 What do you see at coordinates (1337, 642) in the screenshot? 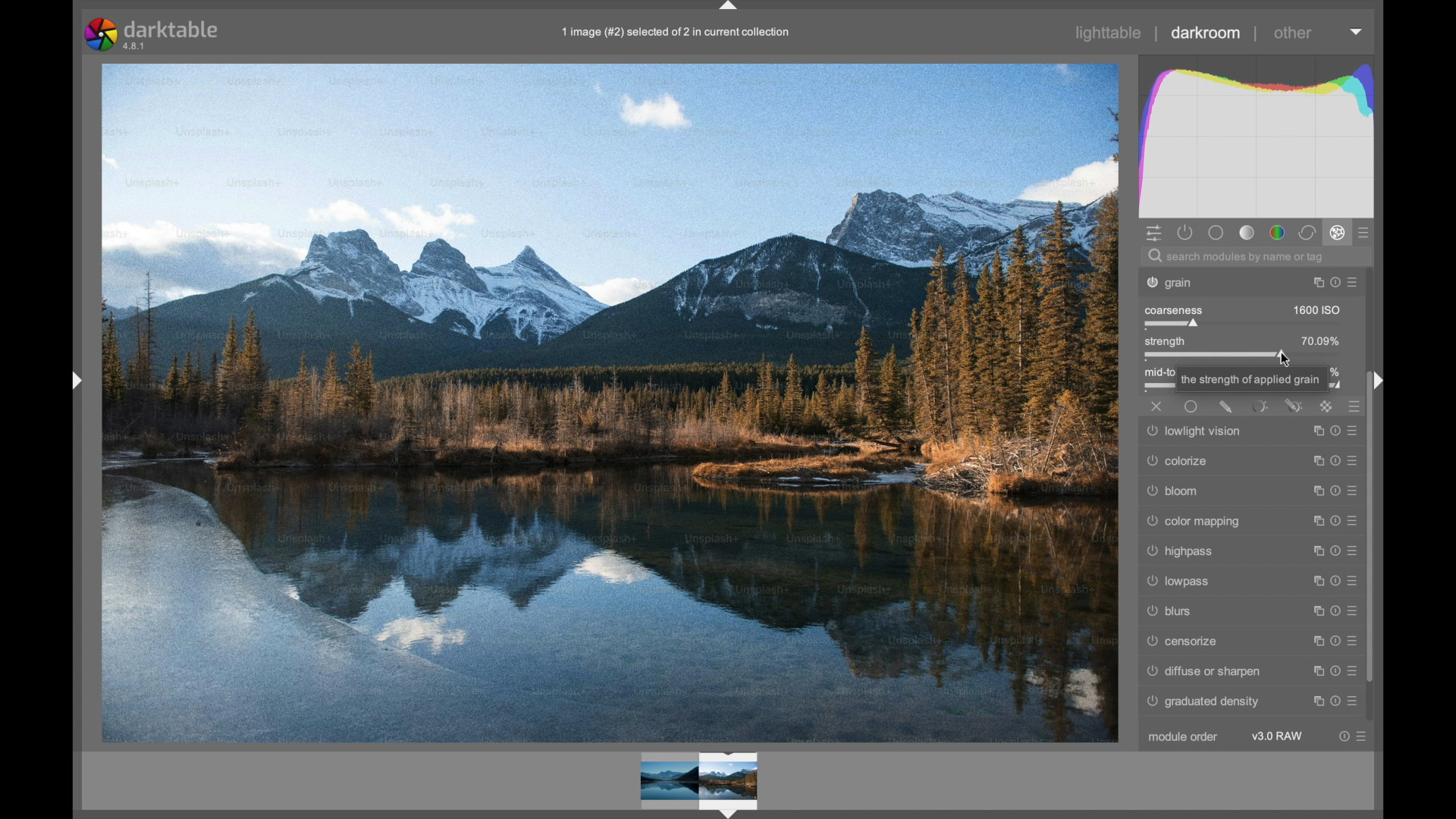
I see `reset parameters` at bounding box center [1337, 642].